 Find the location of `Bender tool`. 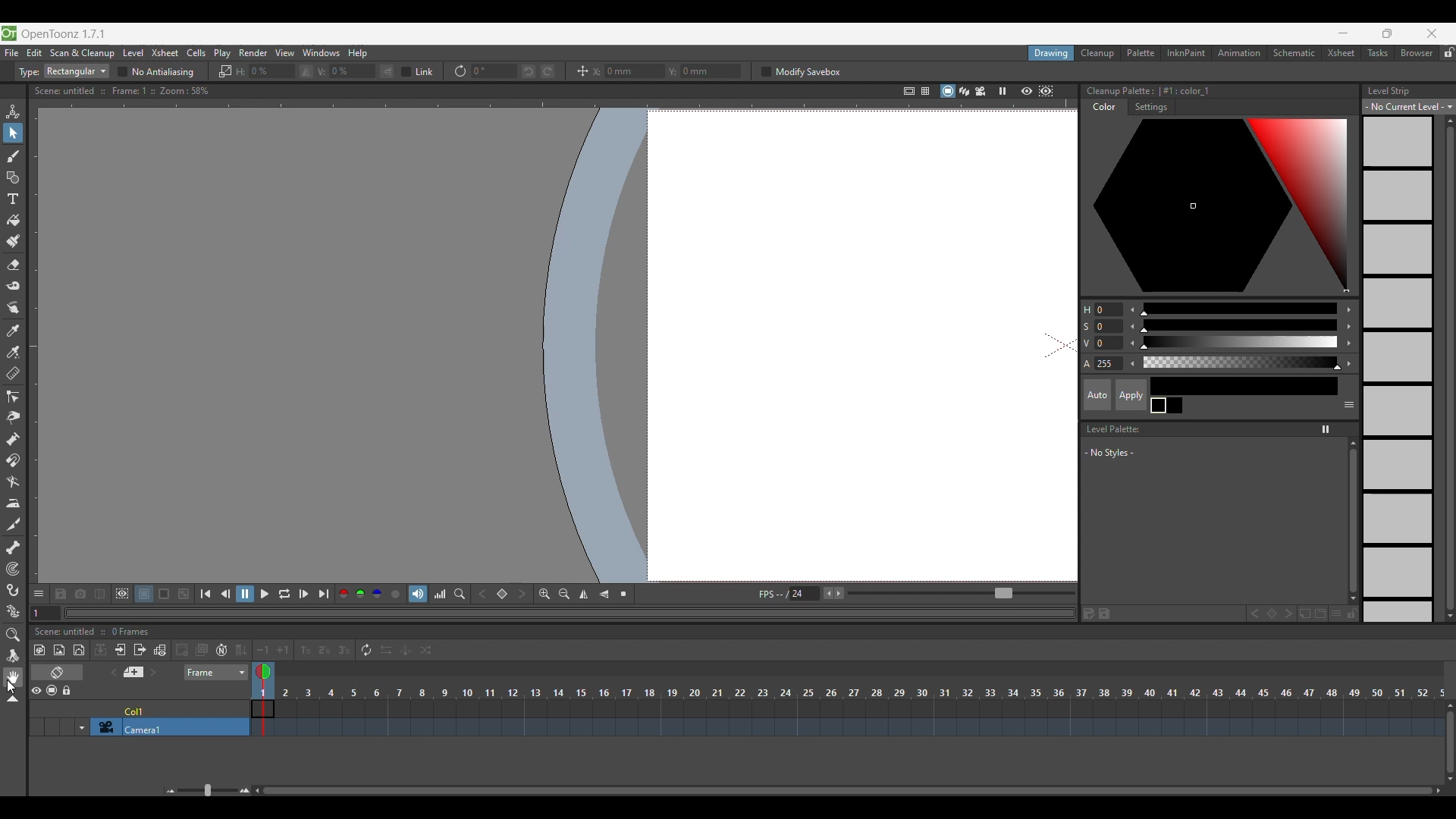

Bender tool is located at coordinates (13, 482).